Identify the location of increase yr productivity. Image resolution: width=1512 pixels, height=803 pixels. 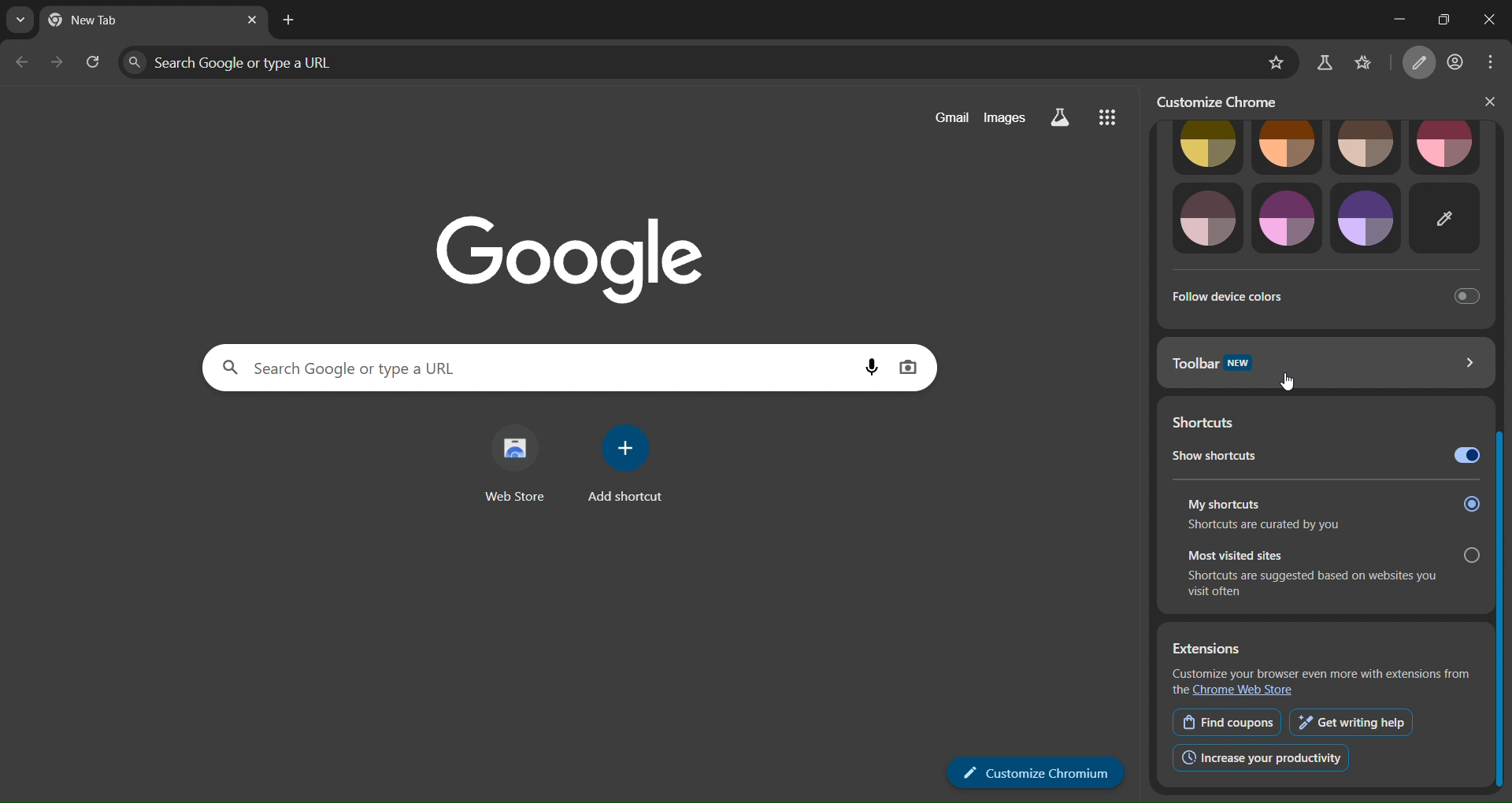
(1261, 757).